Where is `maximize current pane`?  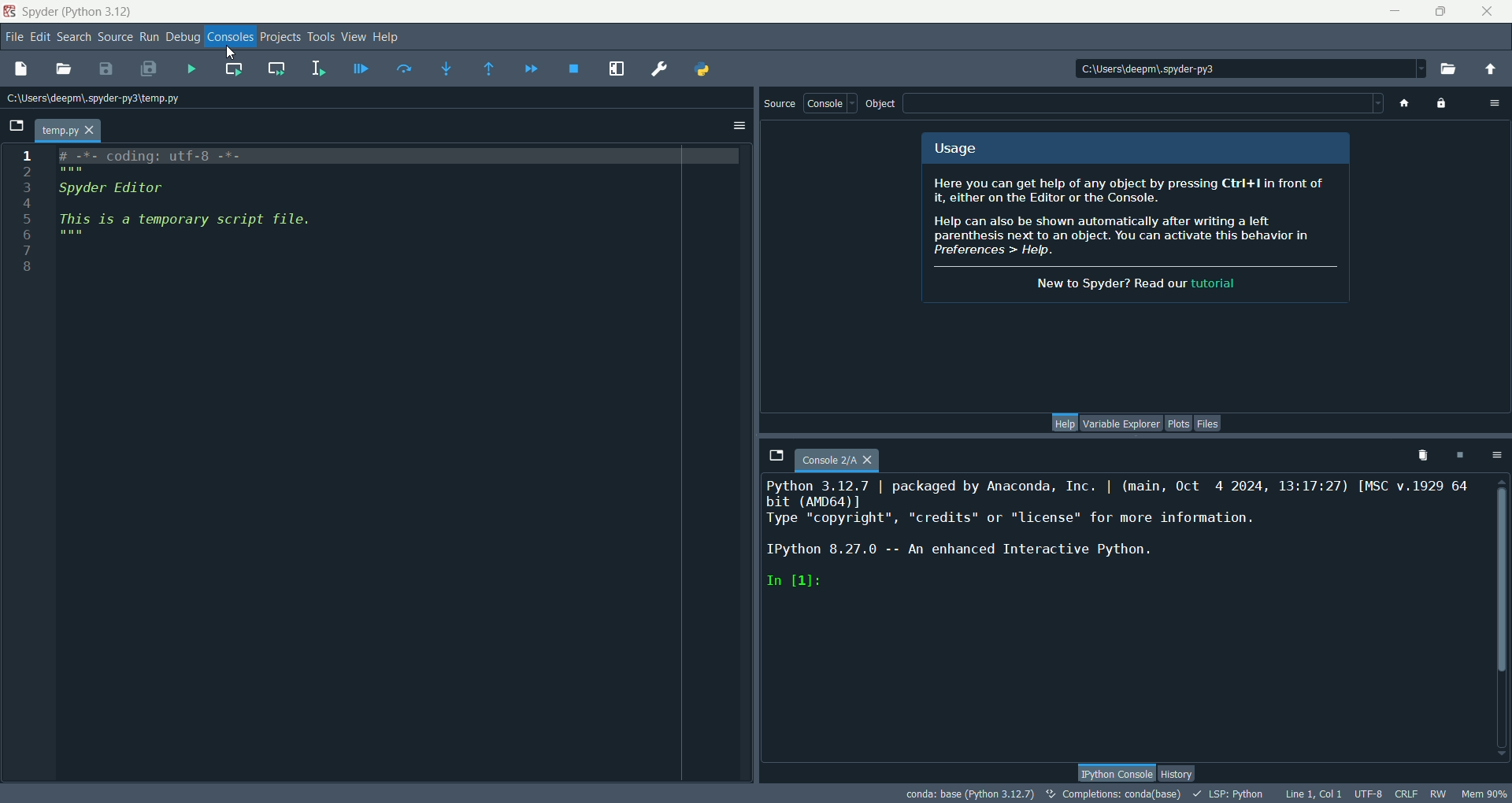 maximize current pane is located at coordinates (617, 68).